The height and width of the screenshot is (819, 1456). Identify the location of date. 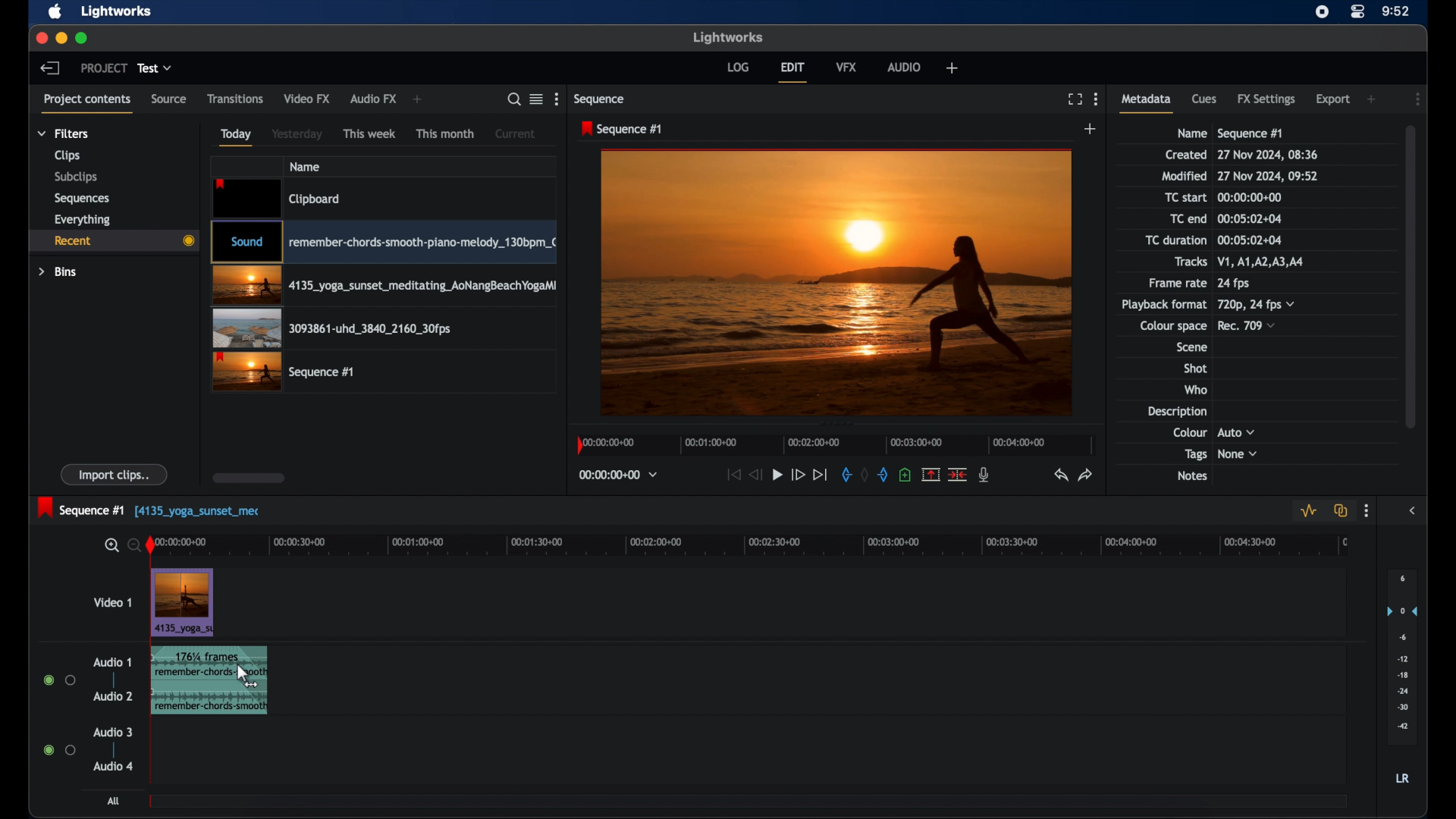
(1269, 155).